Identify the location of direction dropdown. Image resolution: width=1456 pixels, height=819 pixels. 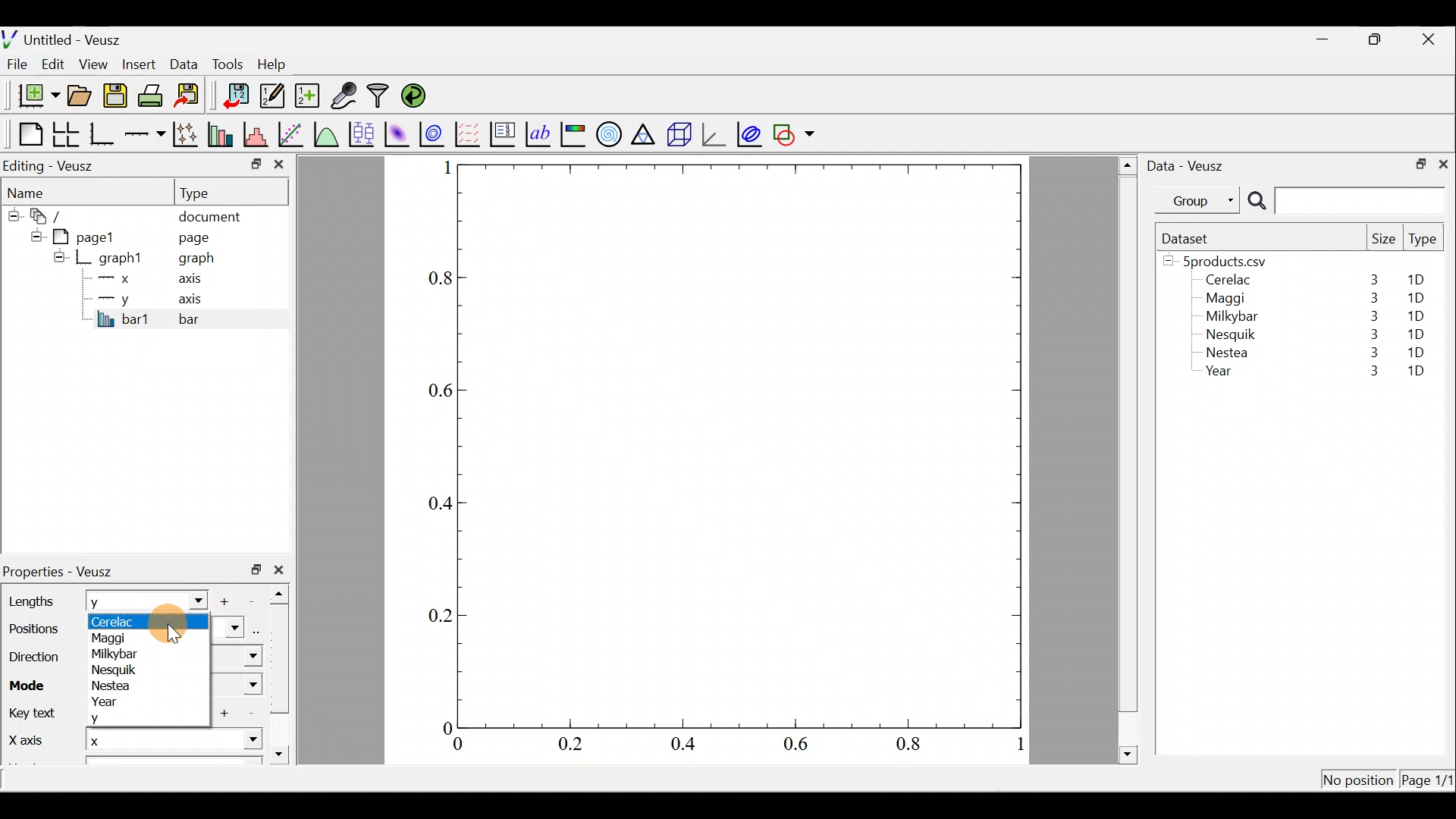
(237, 657).